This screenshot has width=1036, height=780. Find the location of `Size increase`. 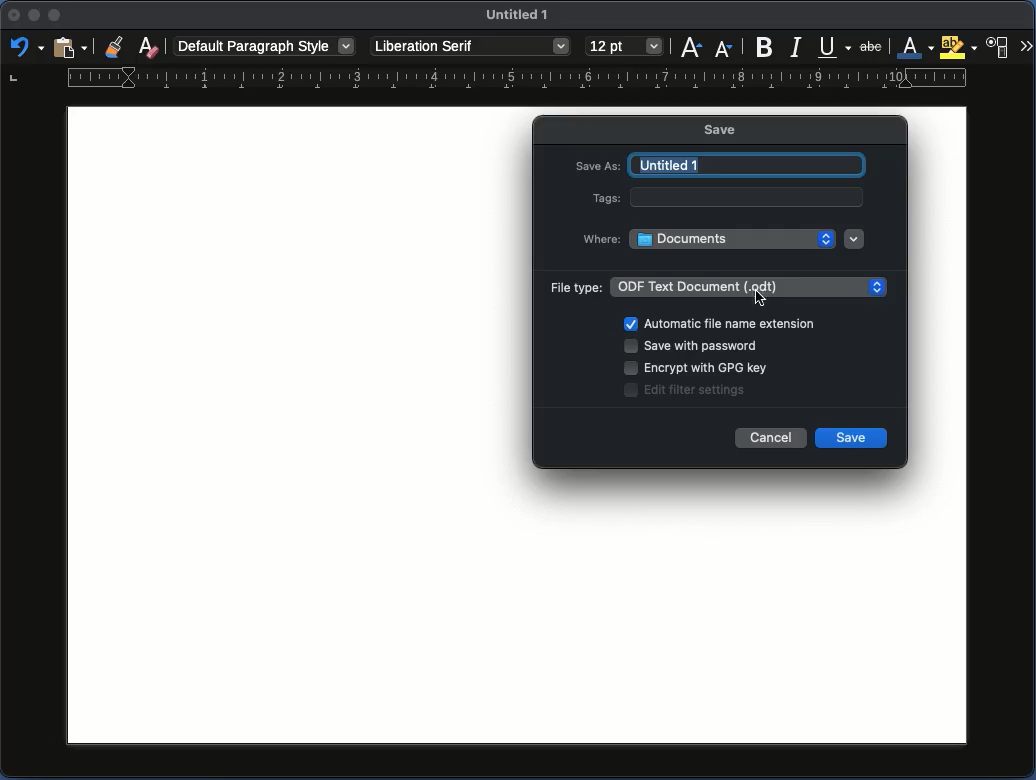

Size increase is located at coordinates (693, 47).